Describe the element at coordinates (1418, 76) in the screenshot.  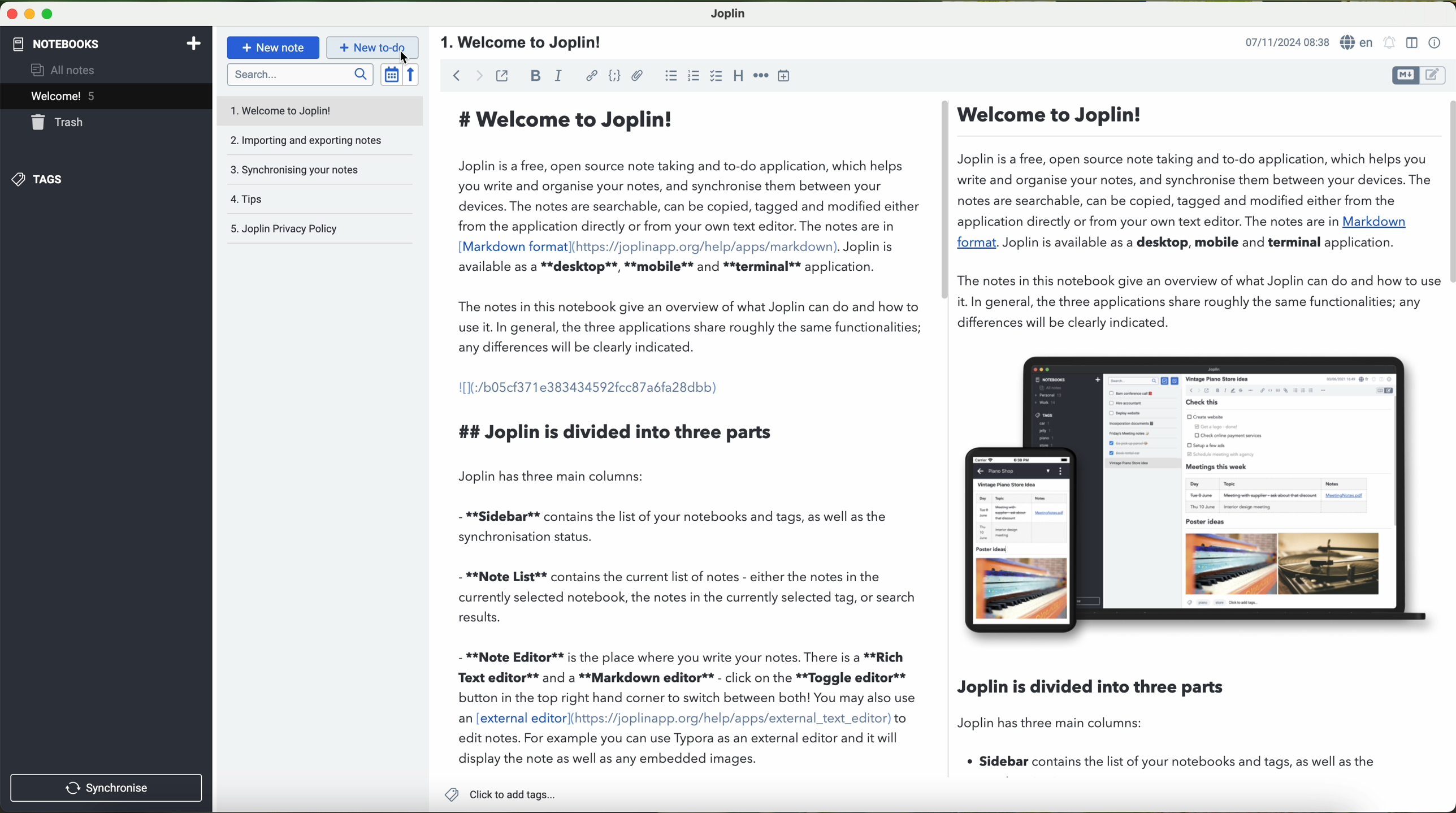
I see `toggle editors` at that location.